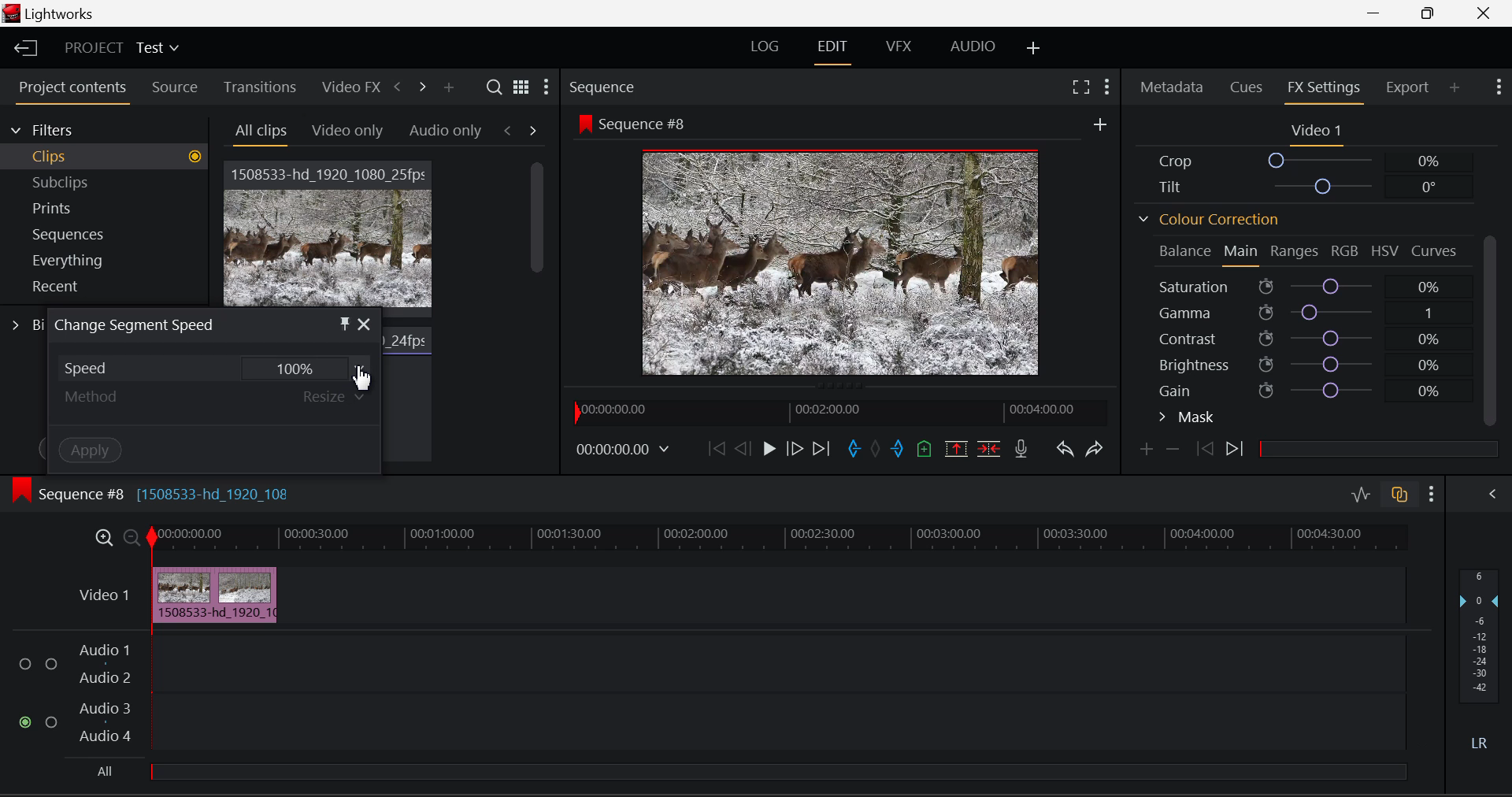 Image resolution: width=1512 pixels, height=797 pixels. Describe the element at coordinates (365, 325) in the screenshot. I see `Close` at that location.